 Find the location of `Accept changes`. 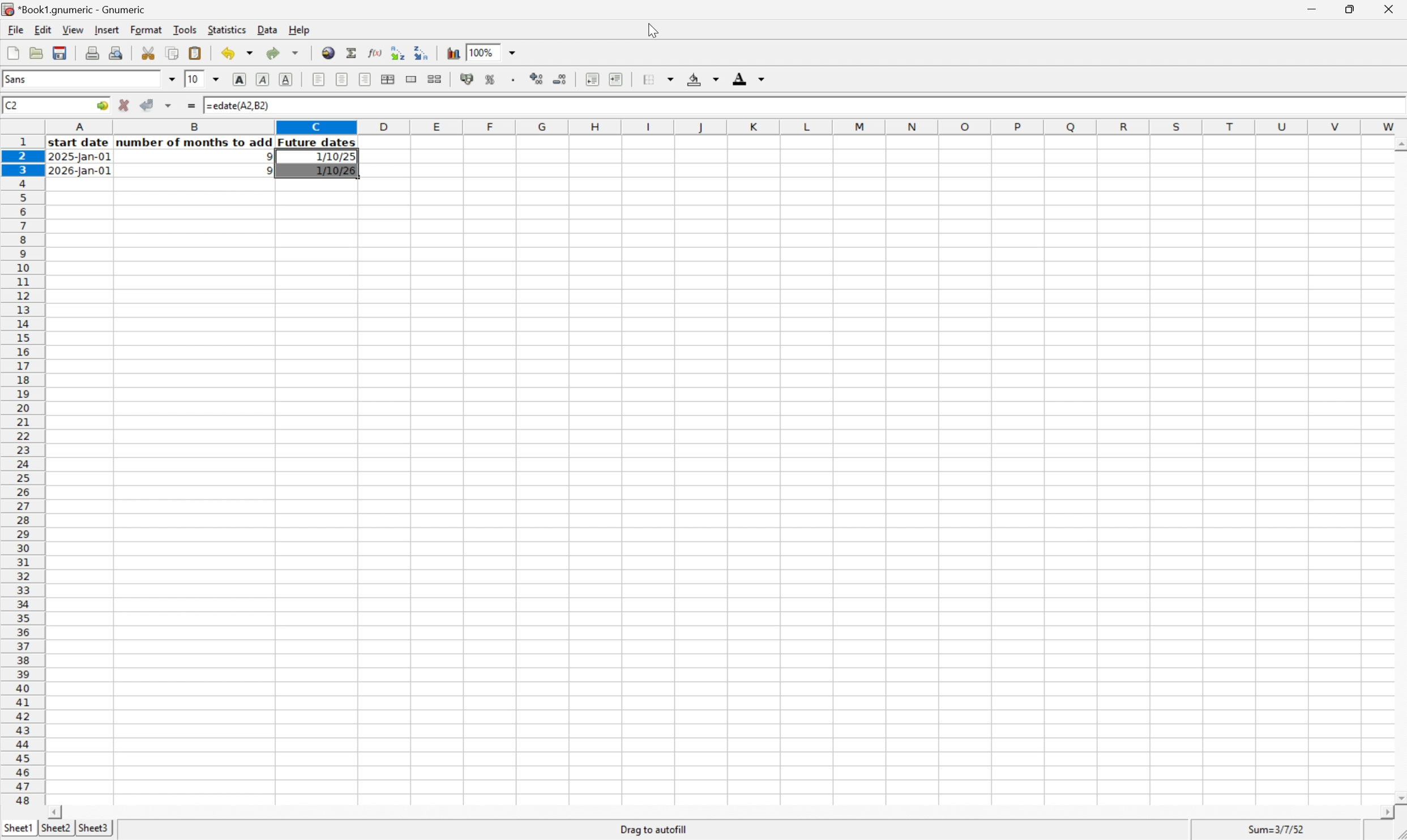

Accept changes is located at coordinates (148, 105).